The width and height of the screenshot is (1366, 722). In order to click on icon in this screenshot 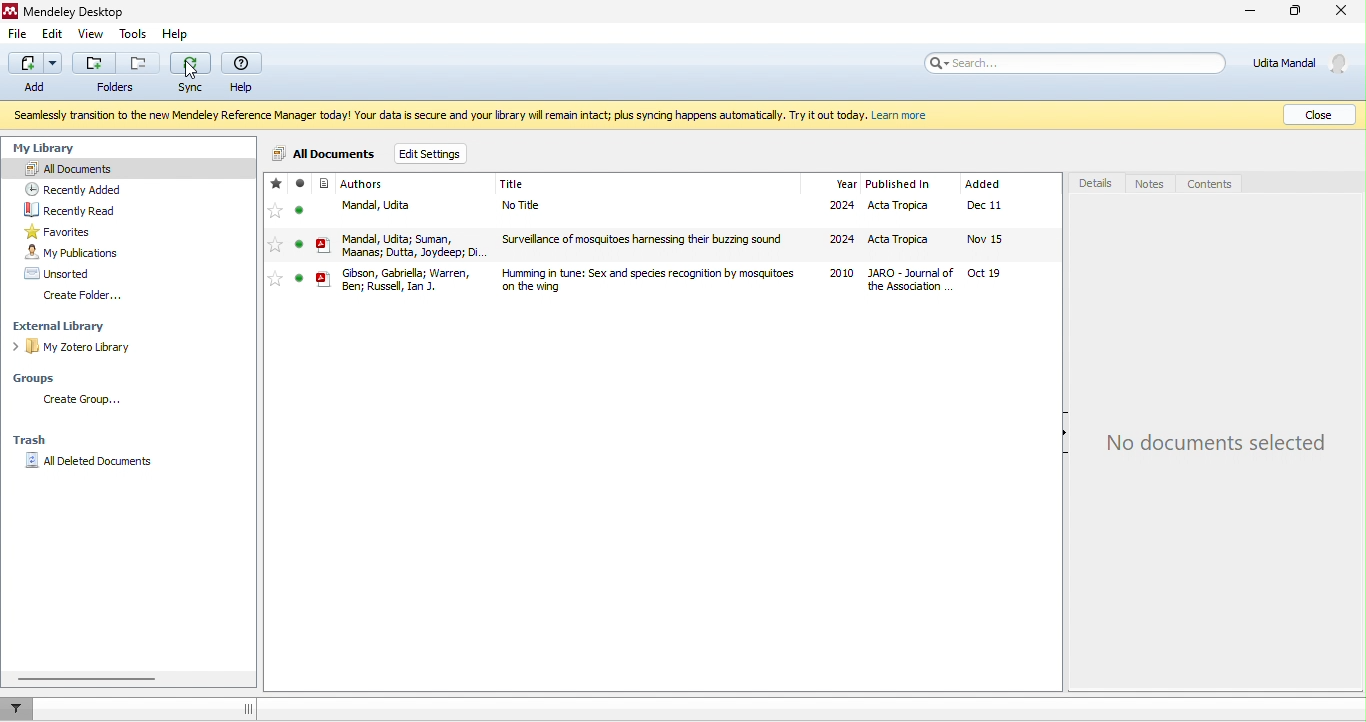, I will do `click(326, 184)`.